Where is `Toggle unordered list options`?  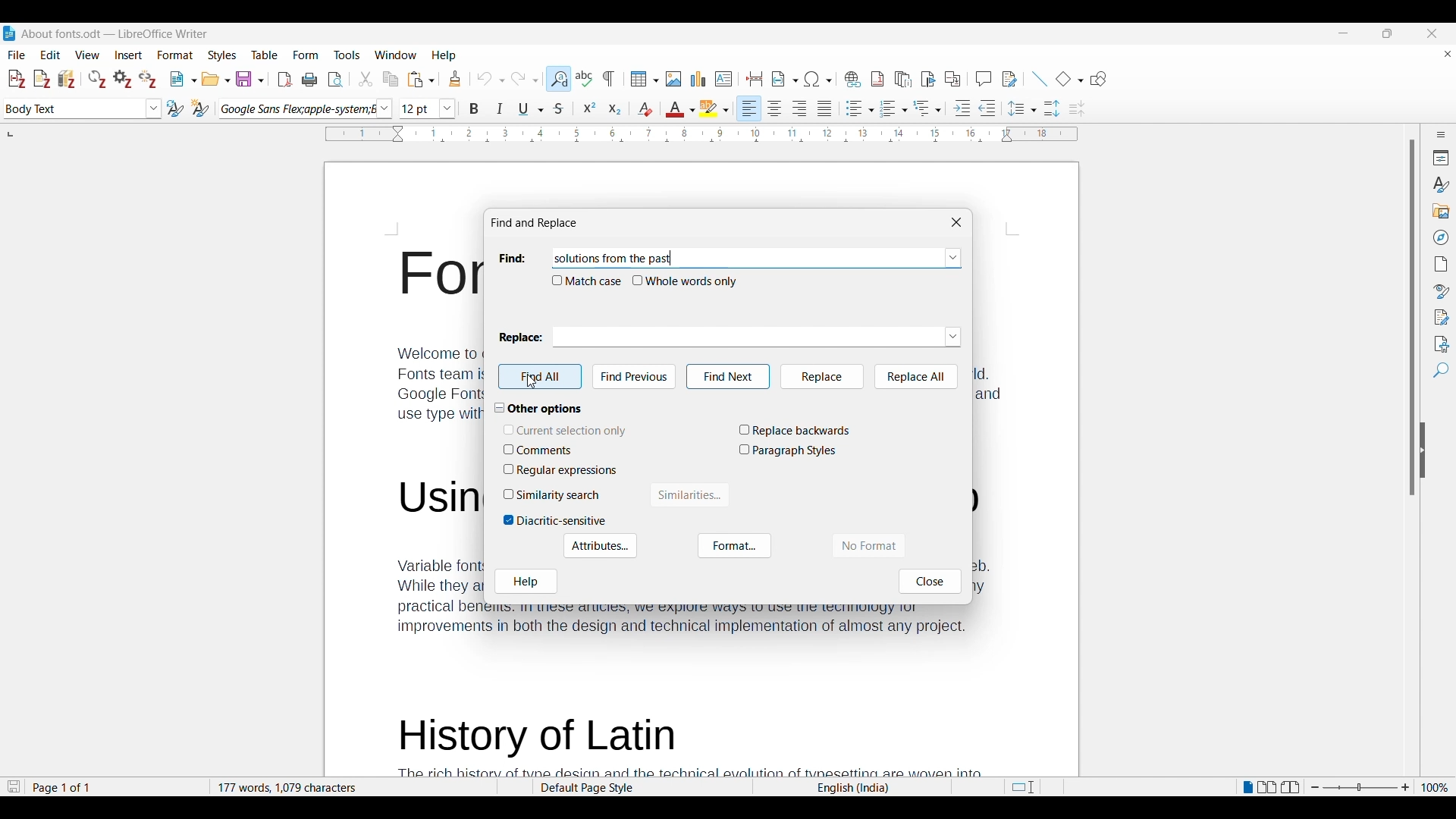 Toggle unordered list options is located at coordinates (859, 108).